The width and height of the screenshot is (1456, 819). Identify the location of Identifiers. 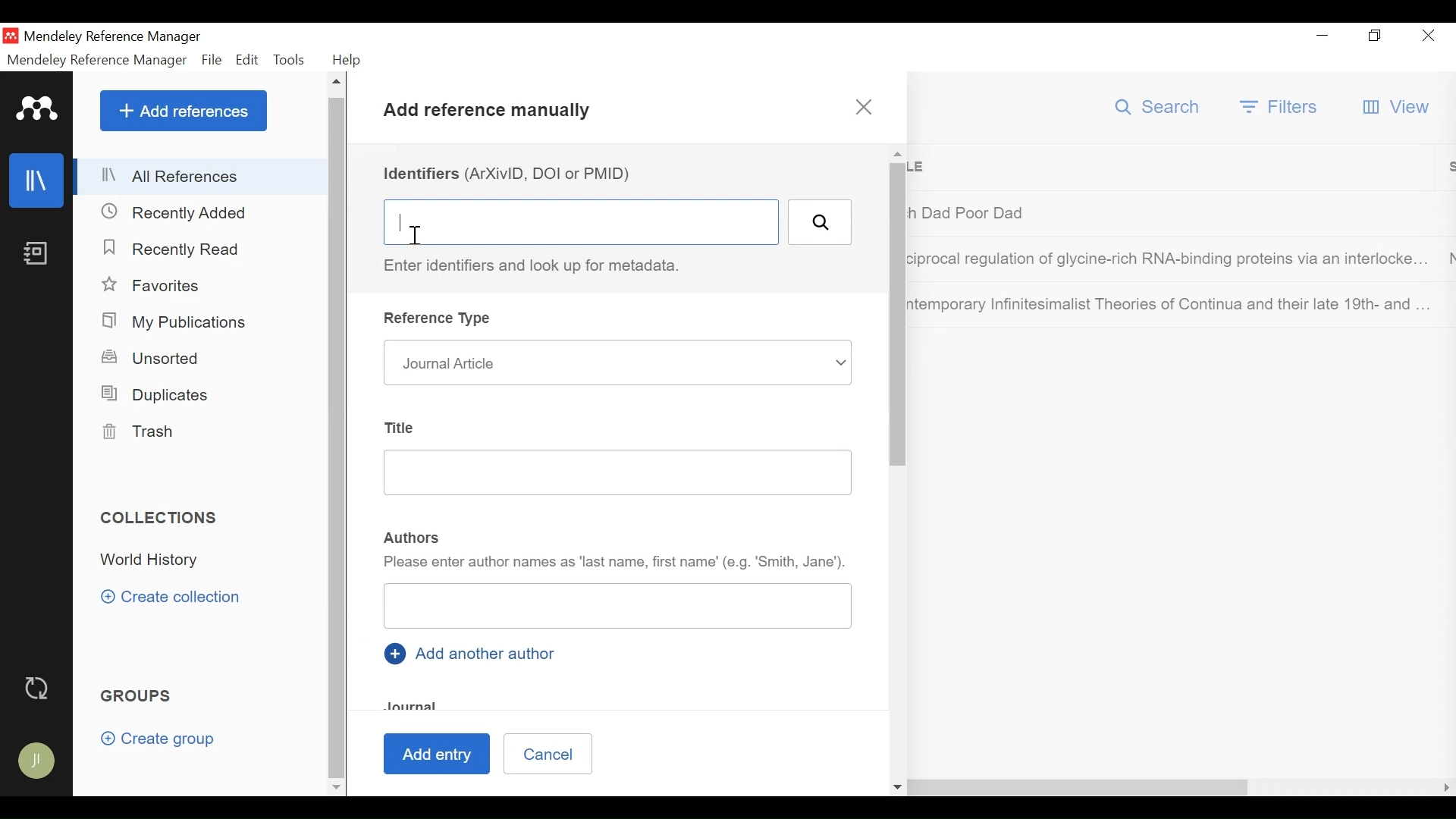
(580, 222).